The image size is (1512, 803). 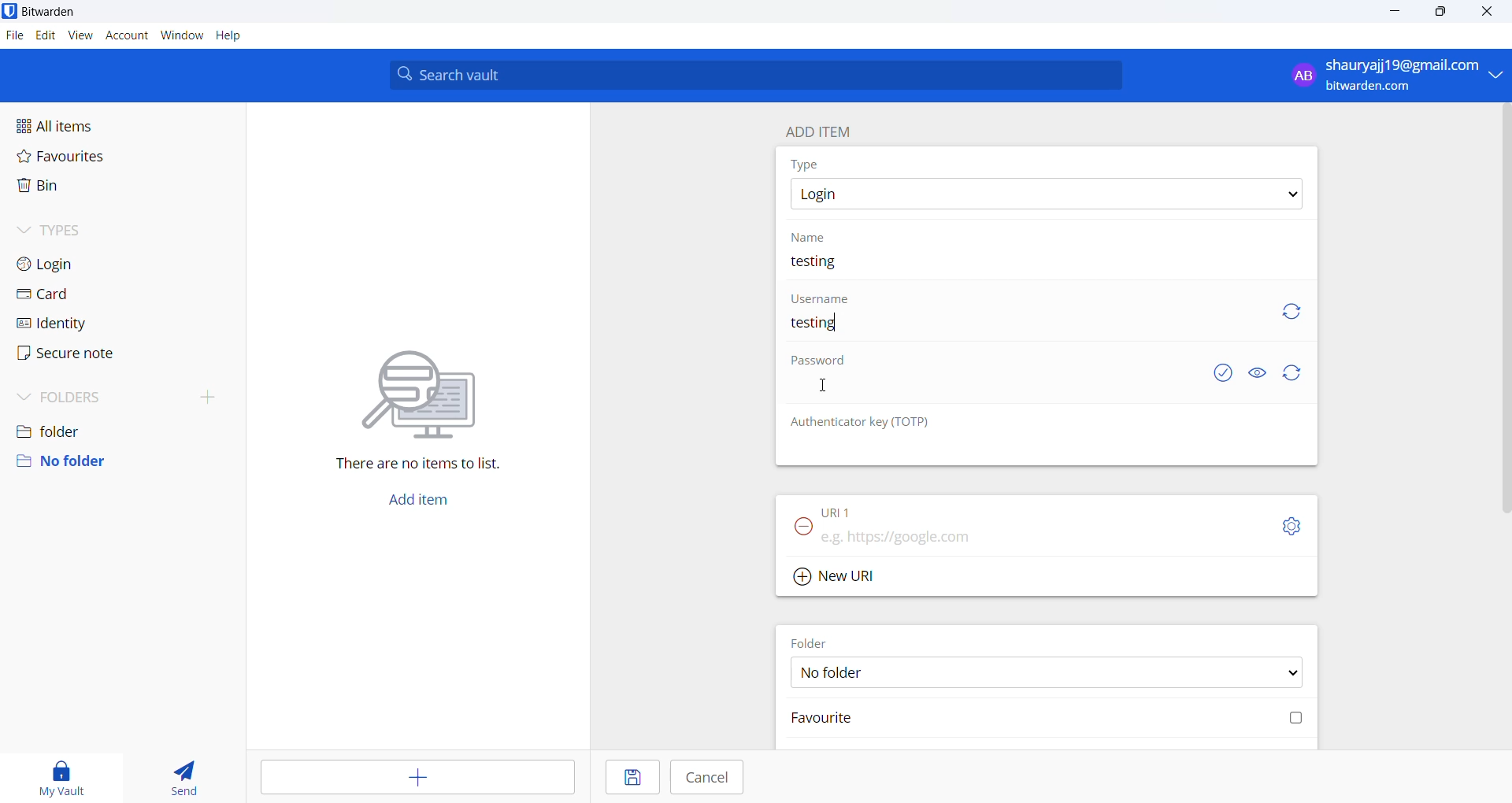 What do you see at coordinates (804, 527) in the screenshot?
I see `remove URL` at bounding box center [804, 527].